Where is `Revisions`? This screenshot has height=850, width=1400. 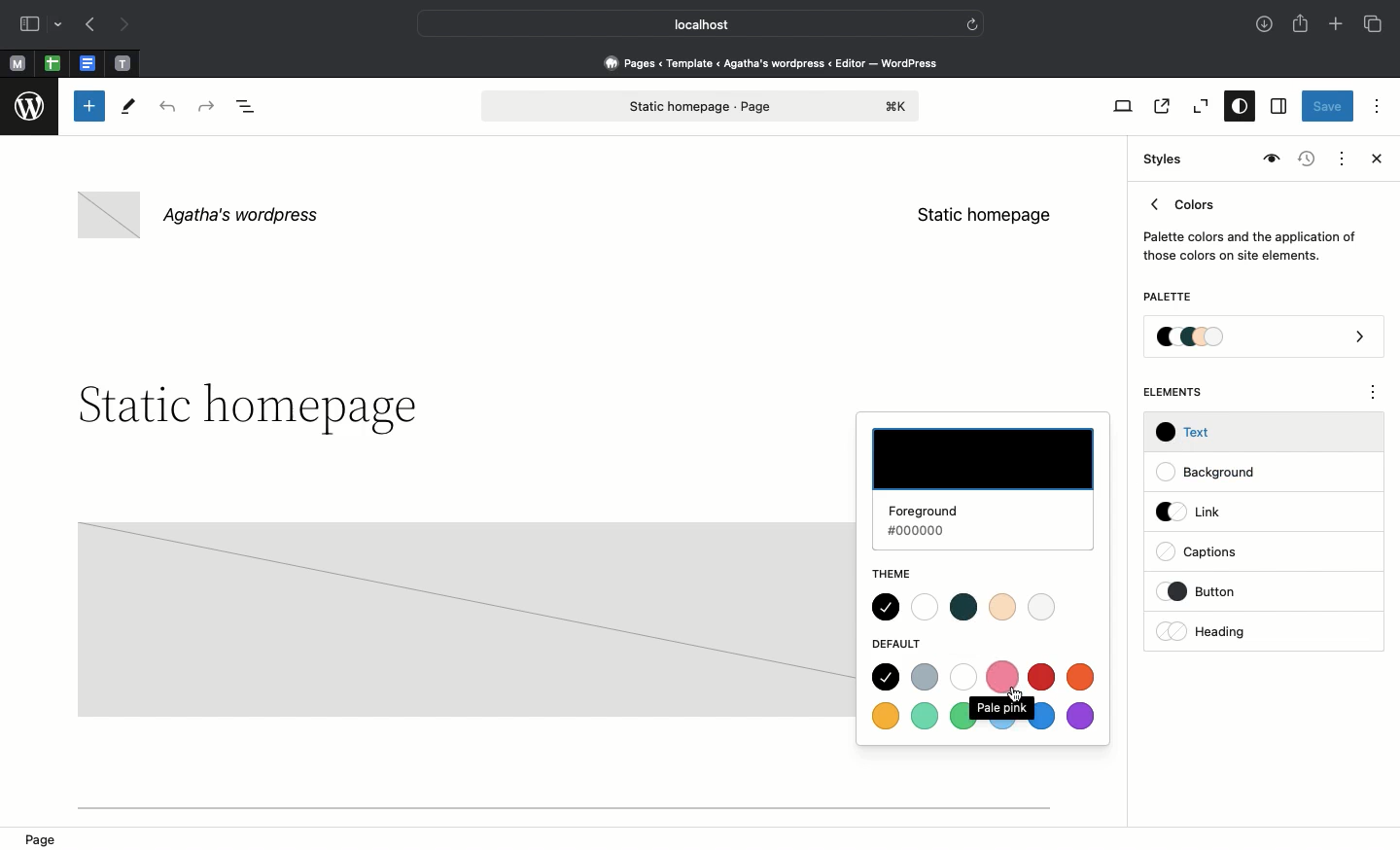
Revisions is located at coordinates (1304, 160).